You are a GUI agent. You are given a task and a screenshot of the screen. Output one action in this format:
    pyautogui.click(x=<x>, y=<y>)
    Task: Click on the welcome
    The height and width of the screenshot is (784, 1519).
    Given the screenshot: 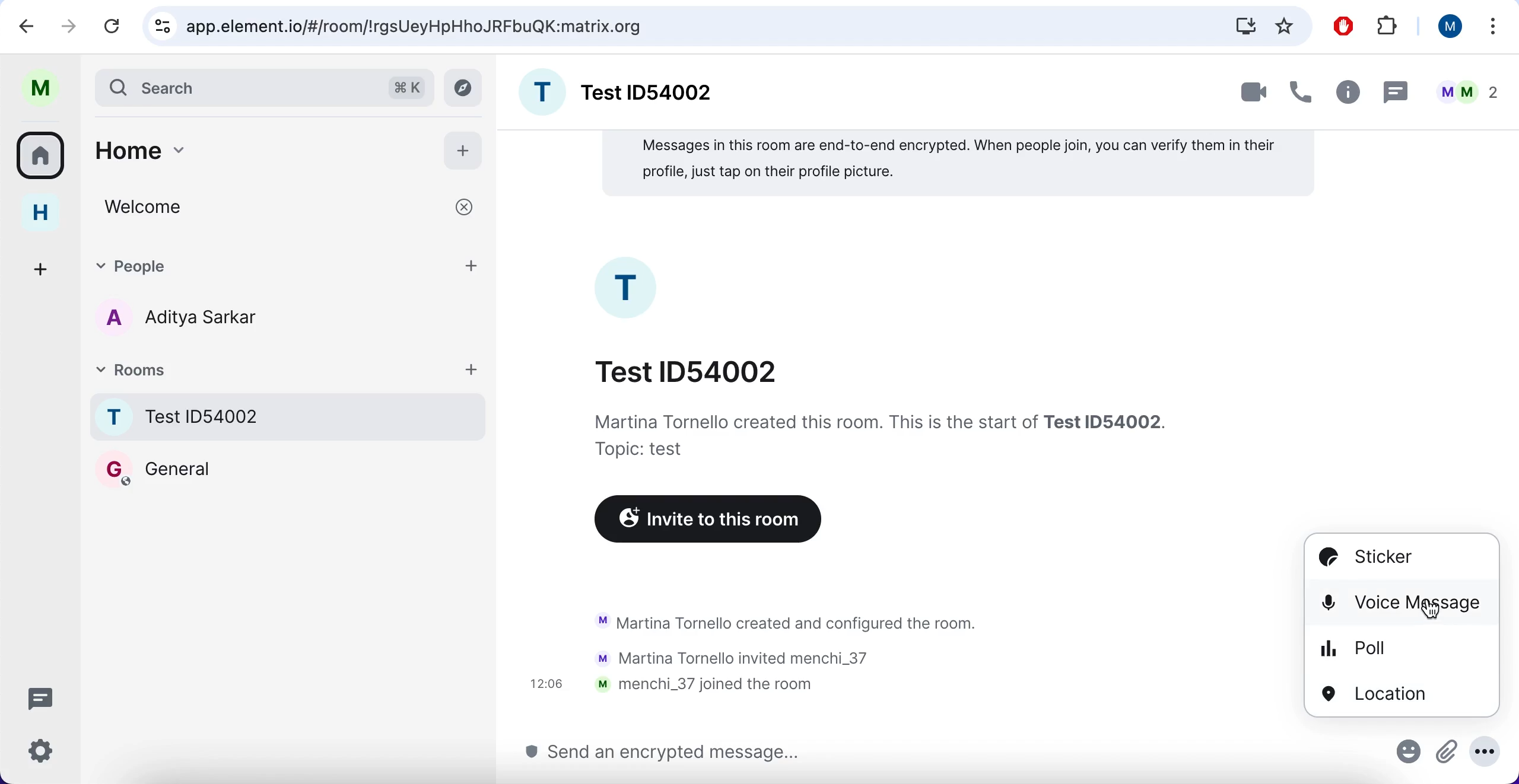 What is the action you would take?
    pyautogui.click(x=287, y=208)
    